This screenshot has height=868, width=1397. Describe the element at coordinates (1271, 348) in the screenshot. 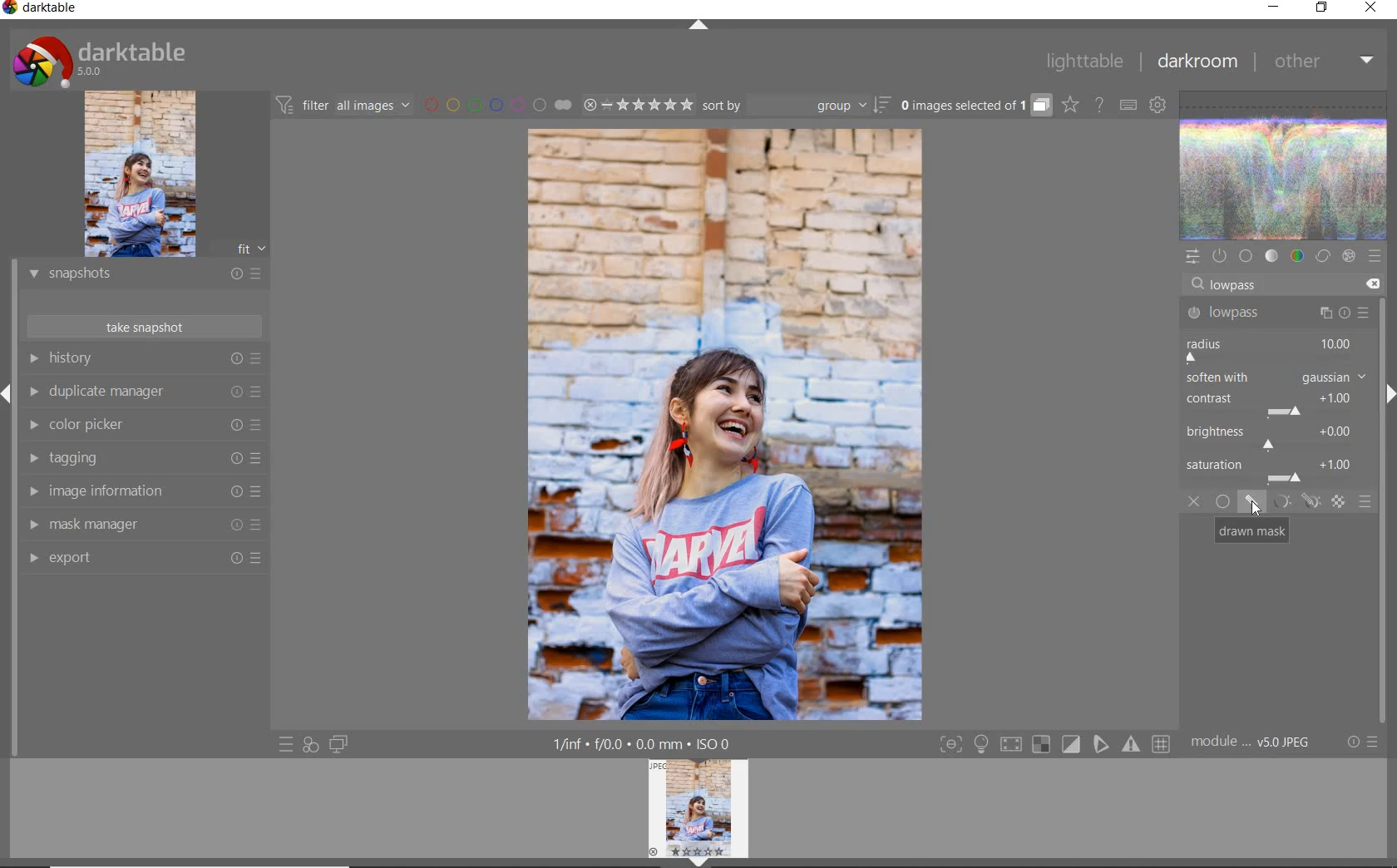

I see `radius` at that location.